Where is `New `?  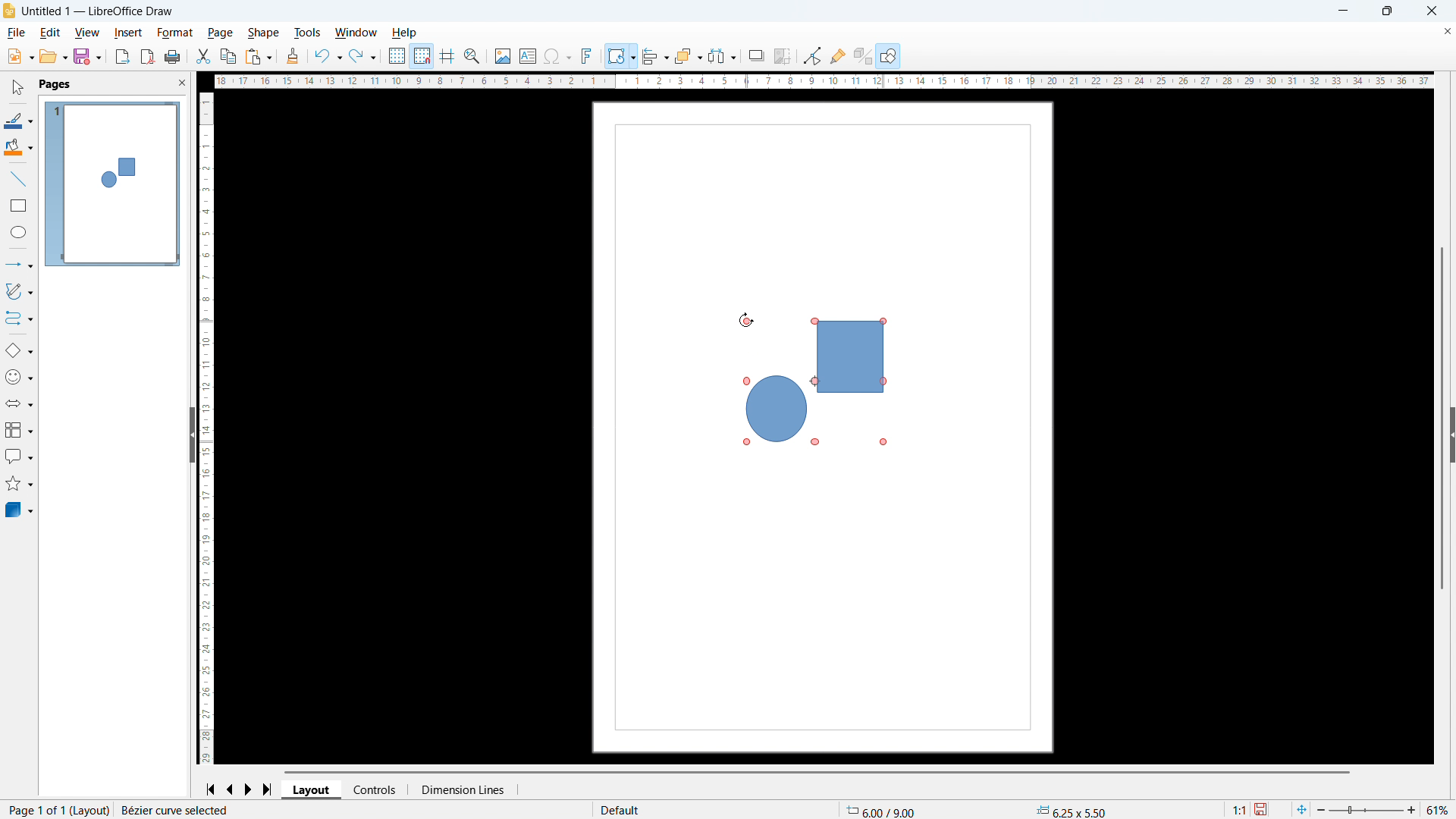 New  is located at coordinates (20, 57).